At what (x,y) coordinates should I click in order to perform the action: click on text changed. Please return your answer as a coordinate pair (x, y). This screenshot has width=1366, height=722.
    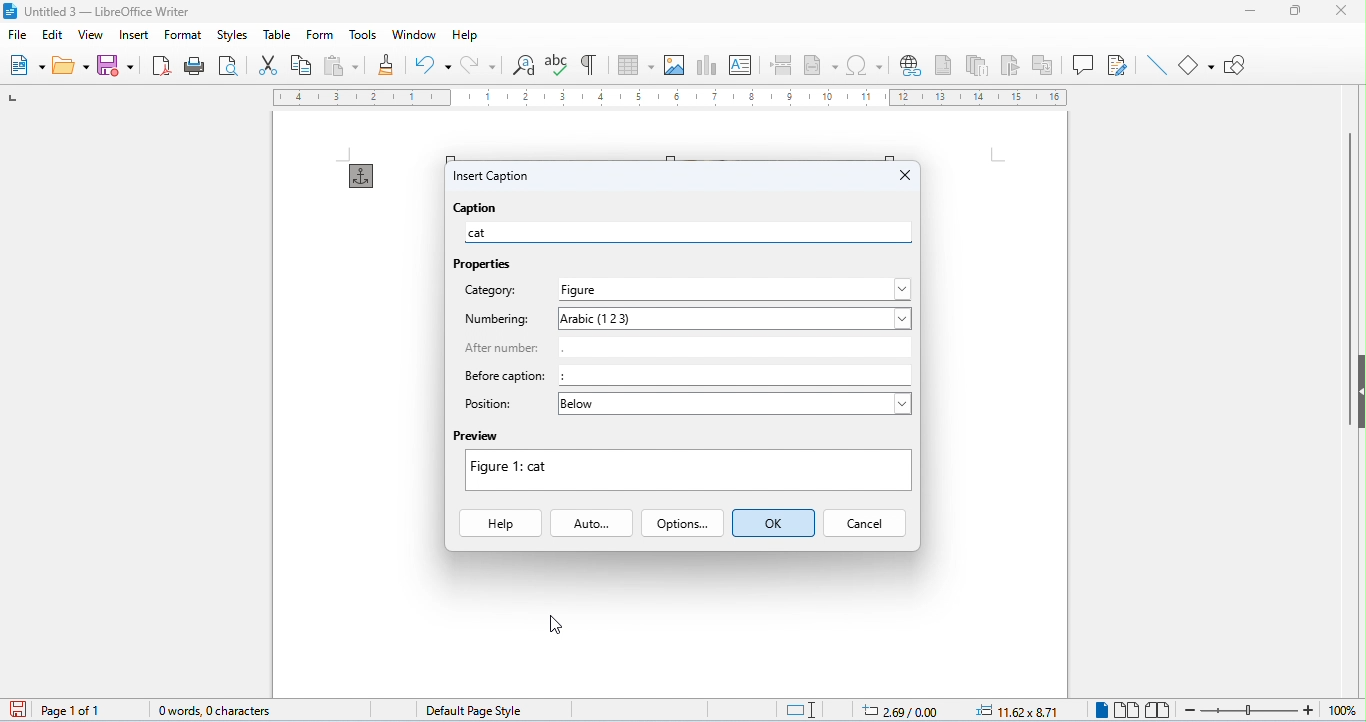
    Looking at the image, I should click on (517, 466).